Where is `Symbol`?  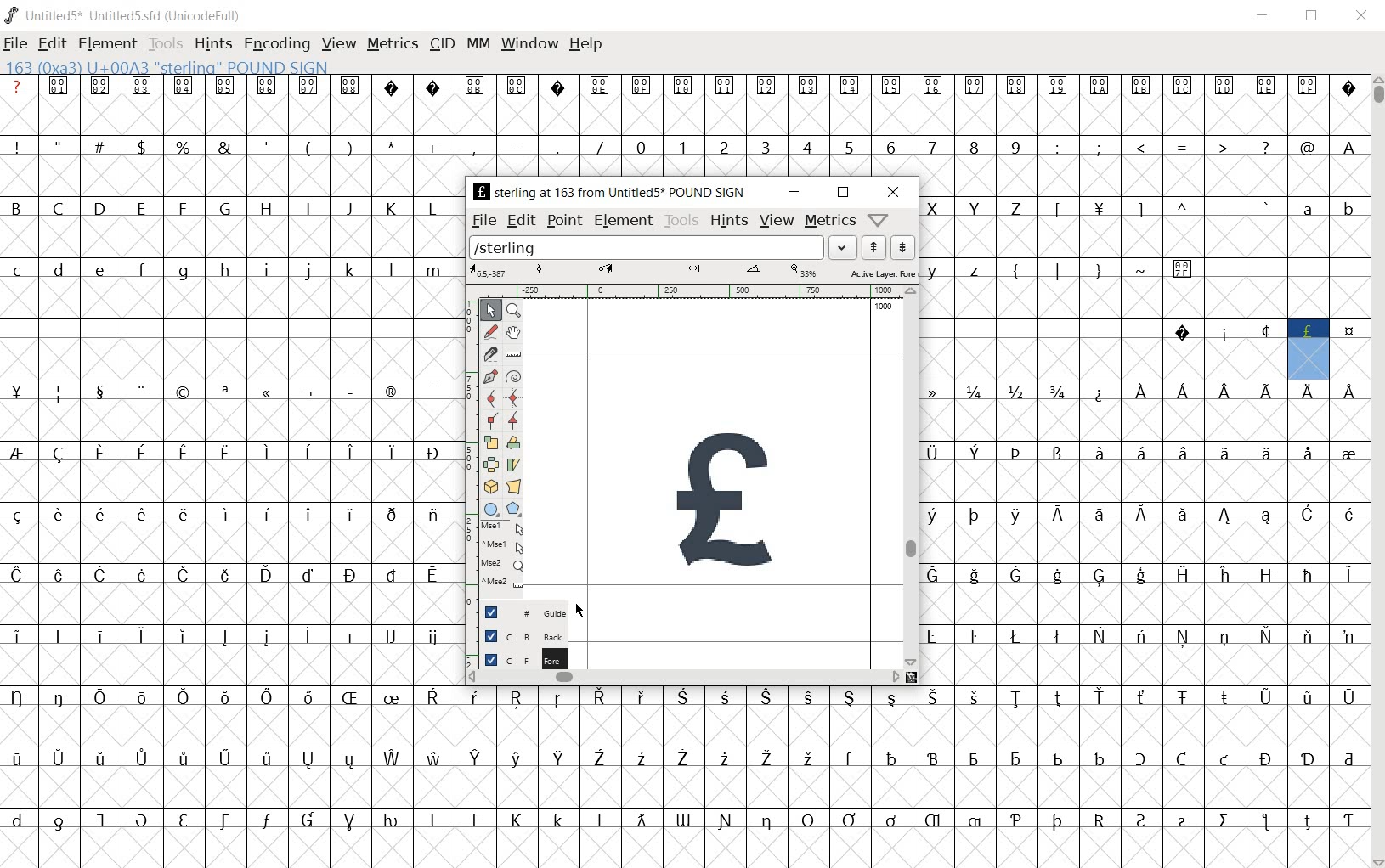
Symbol is located at coordinates (100, 820).